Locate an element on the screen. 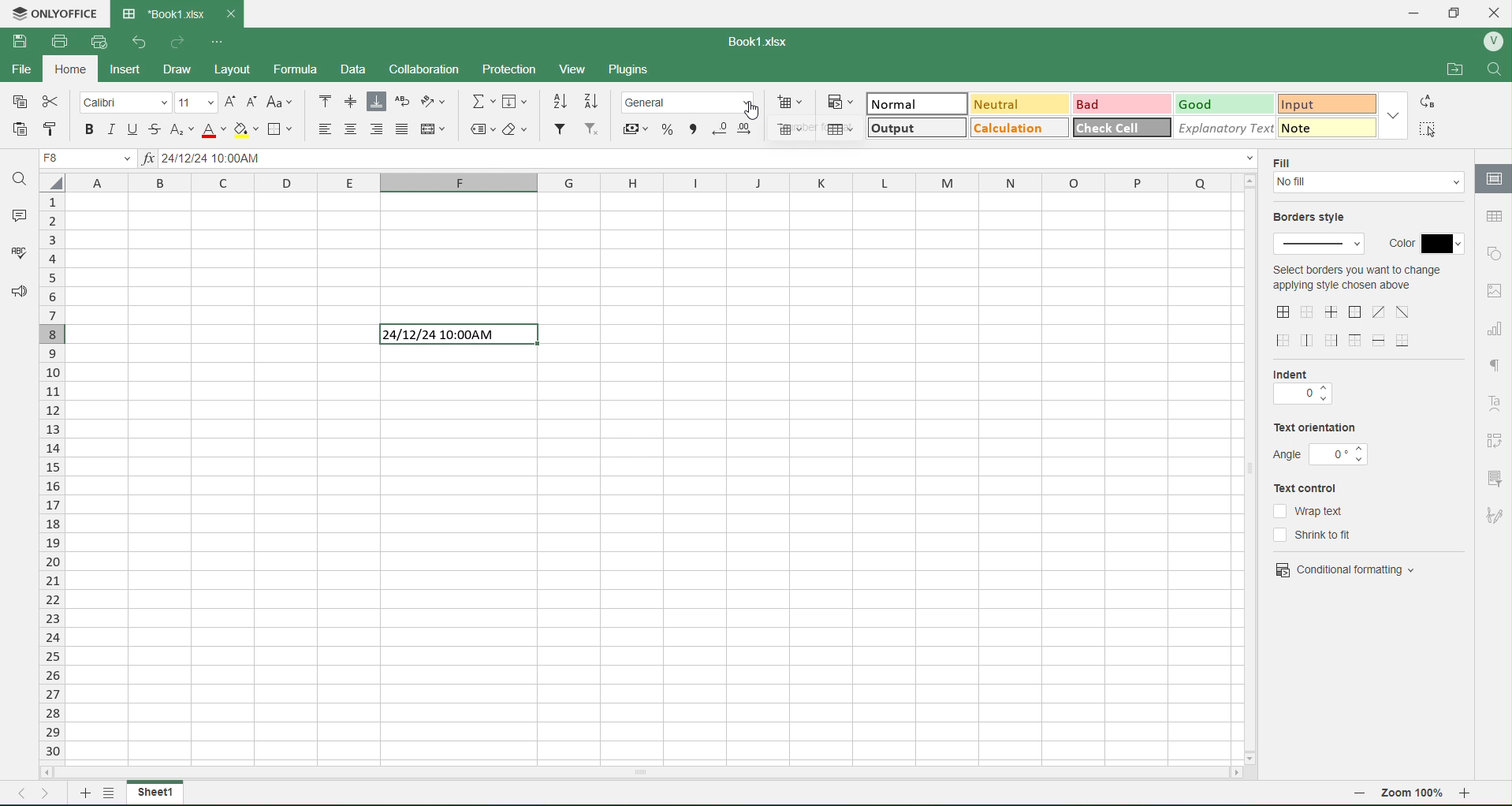  Font Style is located at coordinates (126, 102).